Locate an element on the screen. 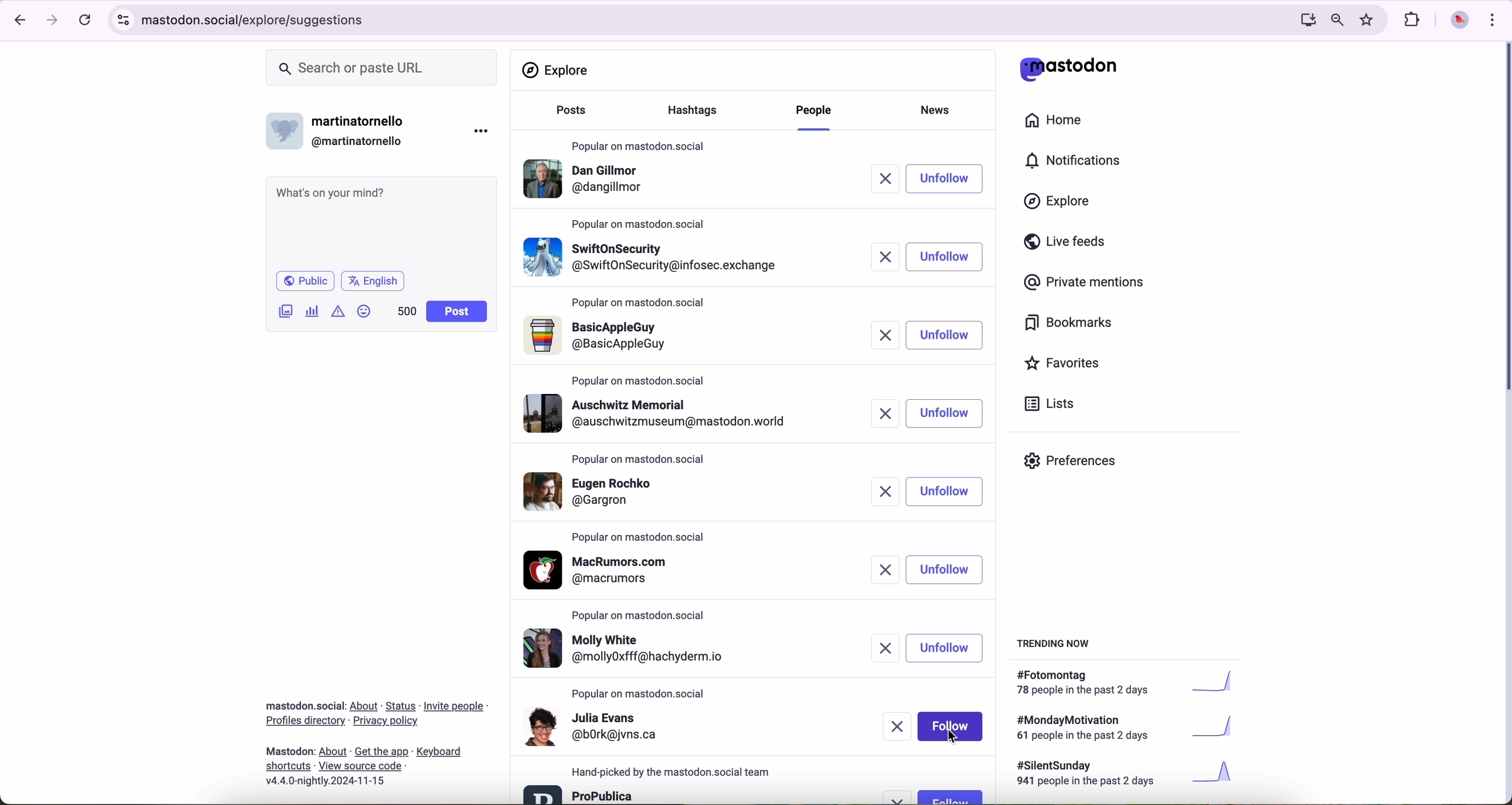  private mentions is located at coordinates (1085, 283).